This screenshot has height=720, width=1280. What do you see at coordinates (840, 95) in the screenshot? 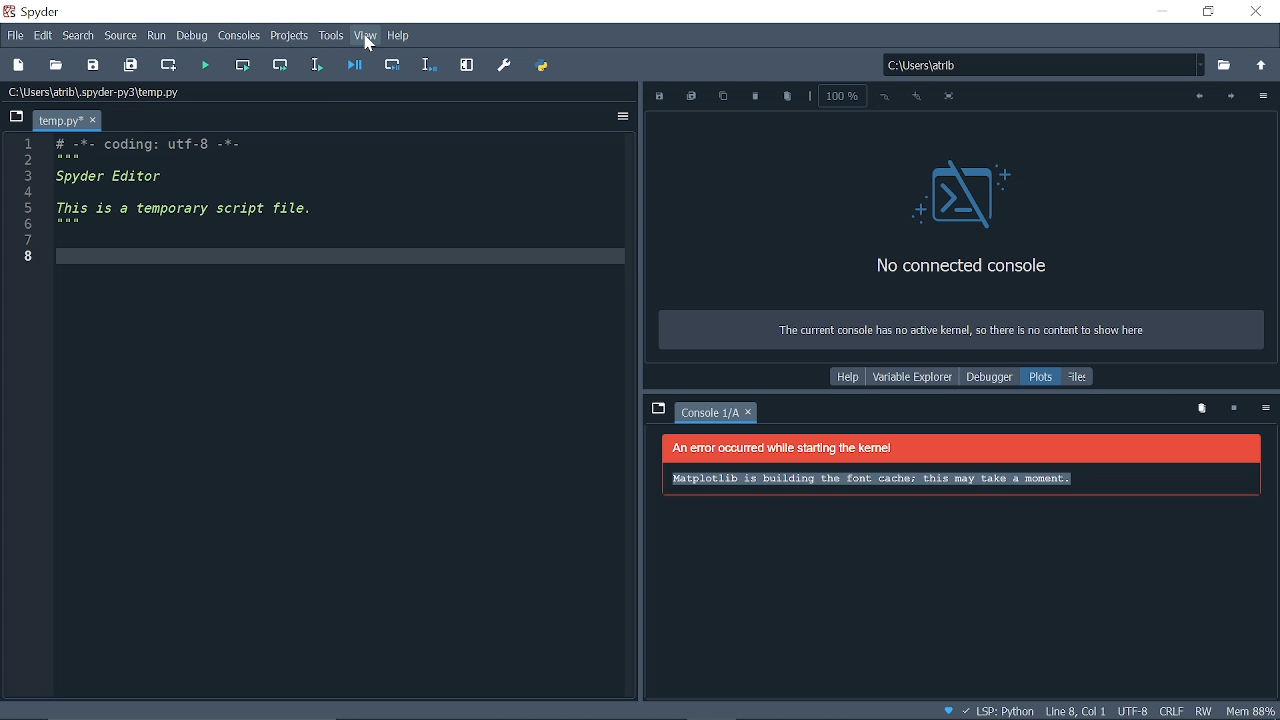
I see `Current zoom` at bounding box center [840, 95].